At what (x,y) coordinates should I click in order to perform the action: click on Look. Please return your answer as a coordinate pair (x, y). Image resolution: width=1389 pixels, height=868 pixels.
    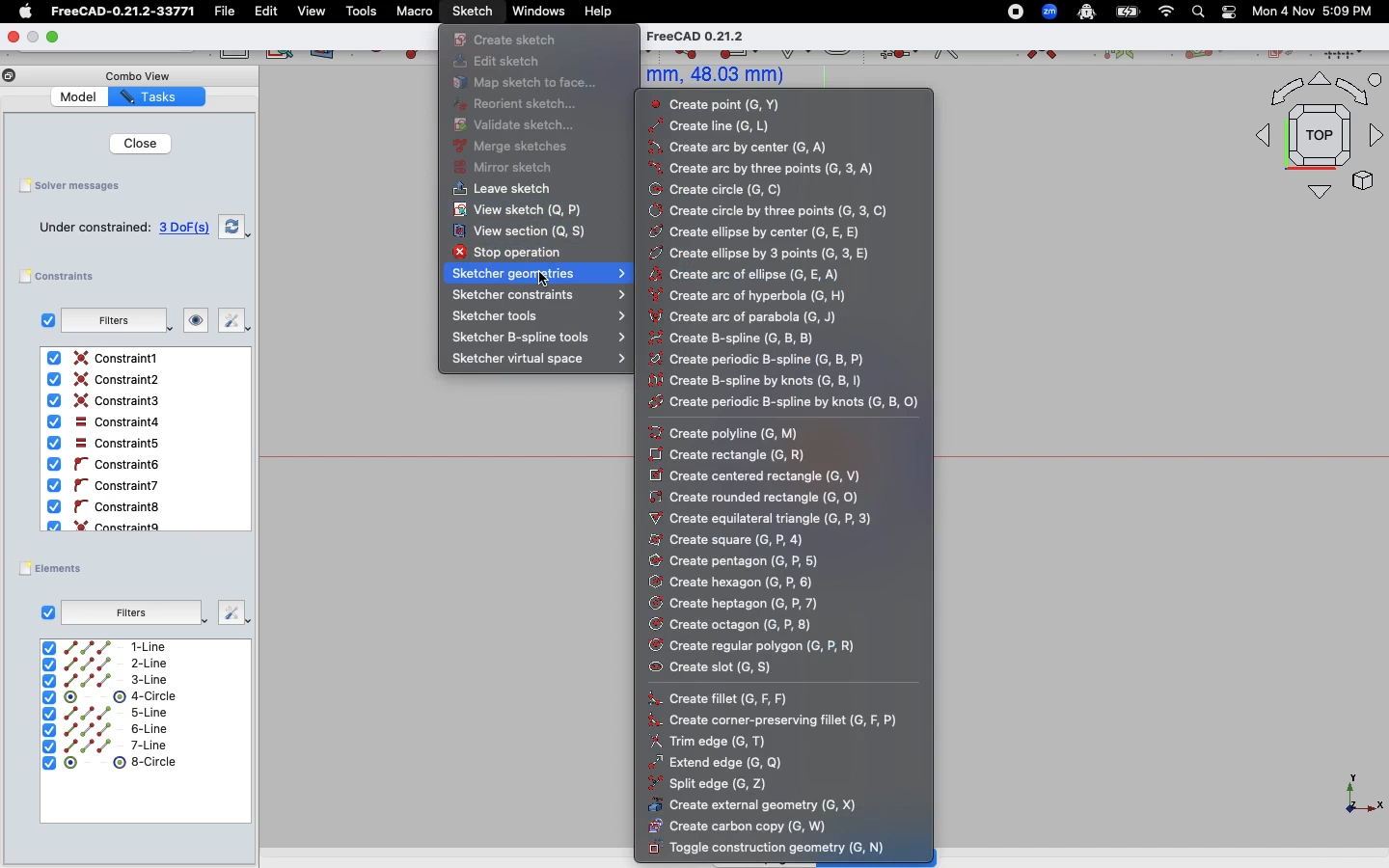
    Looking at the image, I should click on (194, 322).